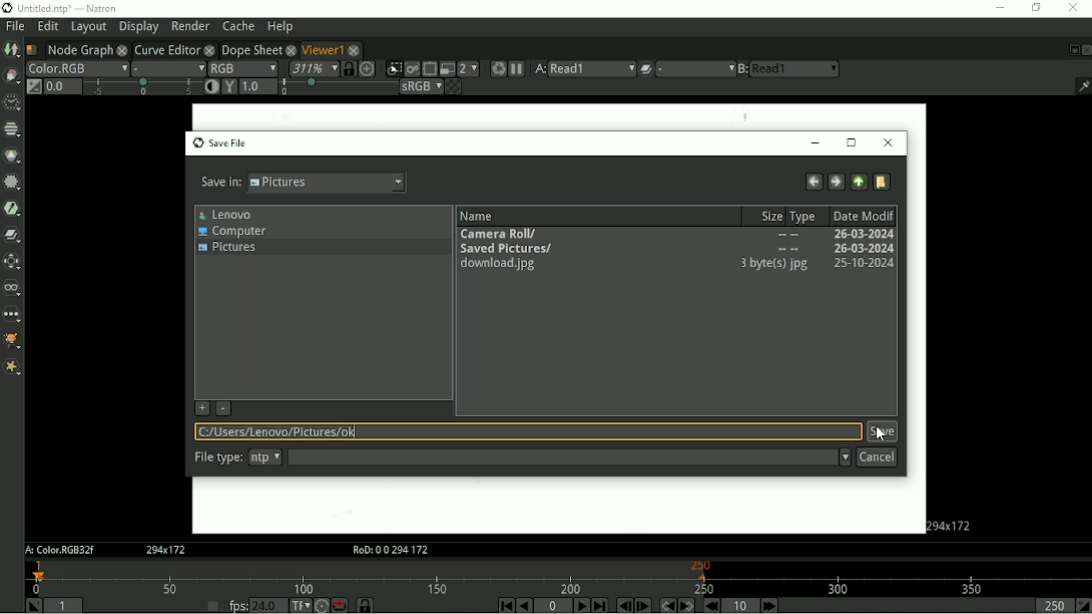 Image resolution: width=1092 pixels, height=614 pixels. I want to click on First frame, so click(505, 606).